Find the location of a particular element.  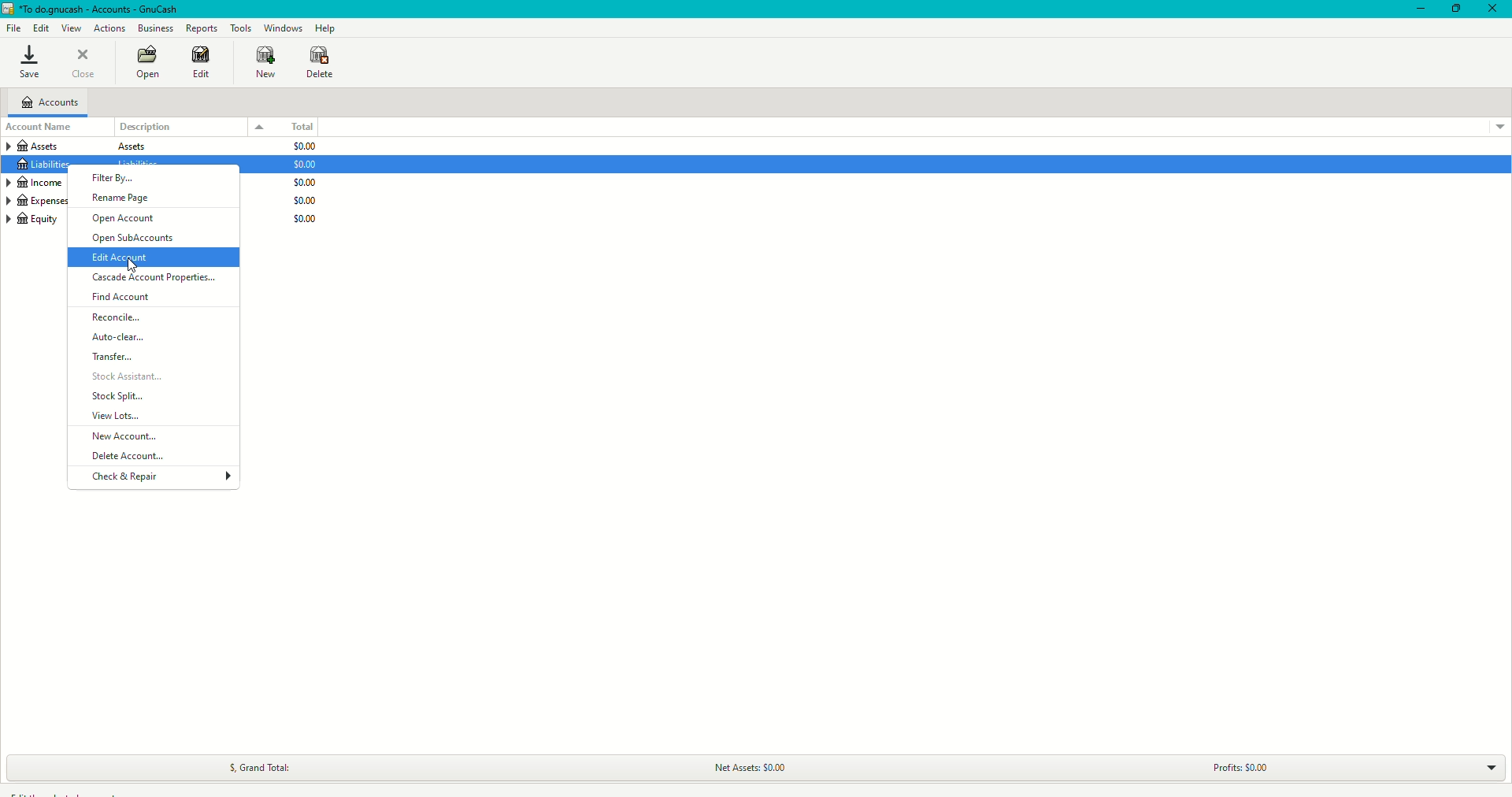

View is located at coordinates (74, 28).